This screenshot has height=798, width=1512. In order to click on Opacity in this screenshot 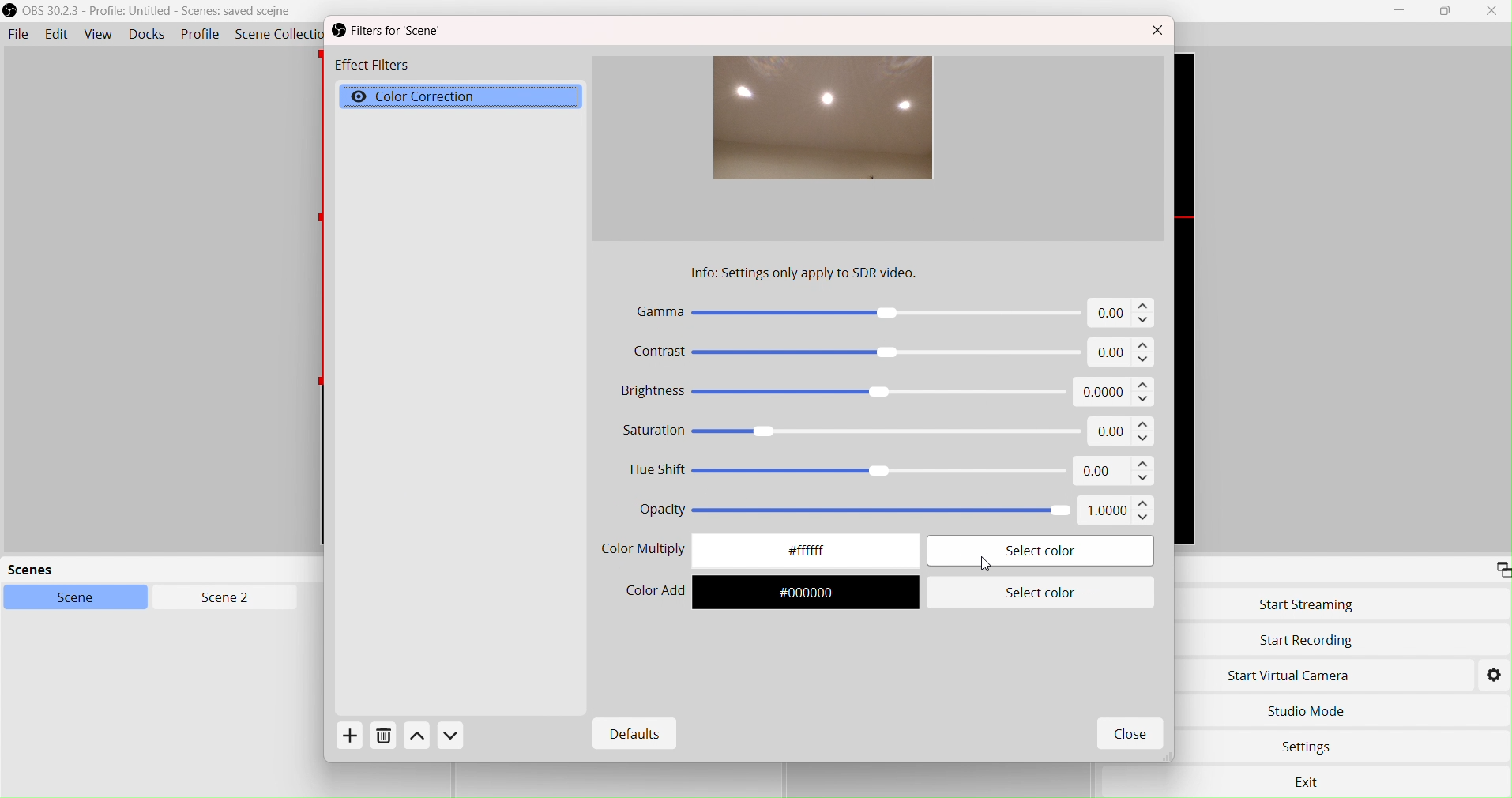, I will do `click(847, 512)`.